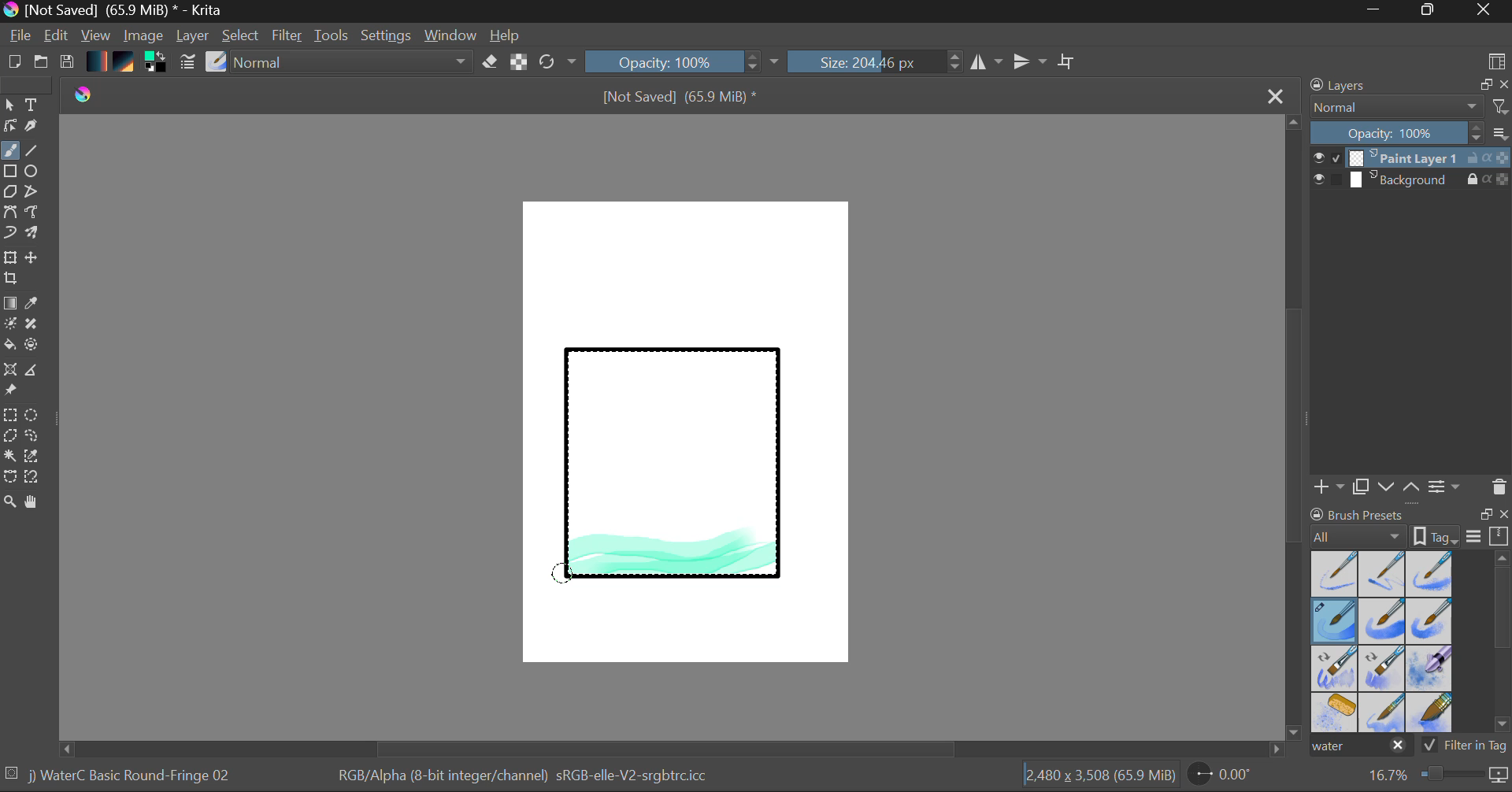 Image resolution: width=1512 pixels, height=792 pixels. Describe the element at coordinates (566, 573) in the screenshot. I see `MOUSE_UP Stroke 3` at that location.